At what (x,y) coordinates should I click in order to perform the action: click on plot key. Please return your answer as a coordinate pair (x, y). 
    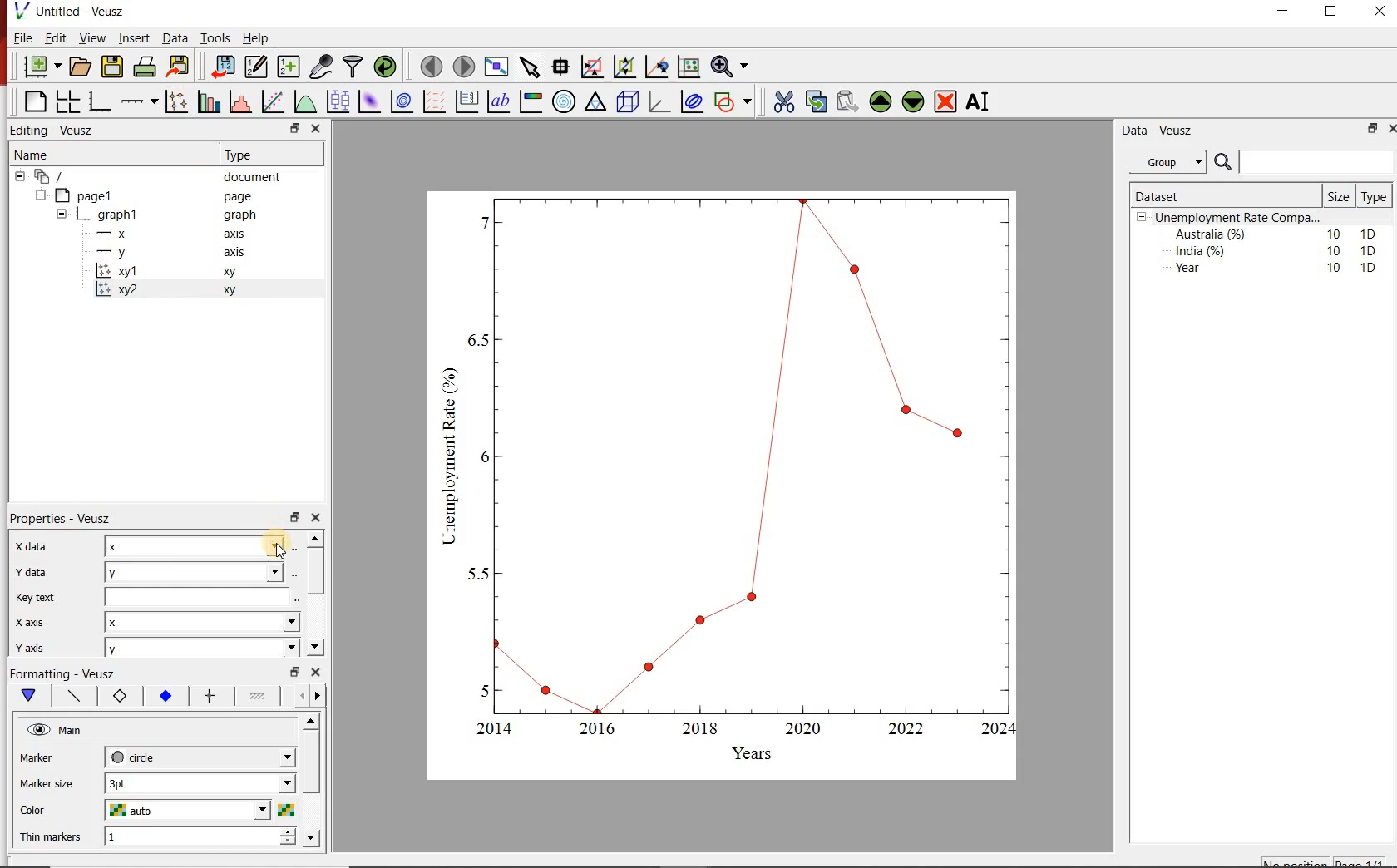
    Looking at the image, I should click on (466, 102).